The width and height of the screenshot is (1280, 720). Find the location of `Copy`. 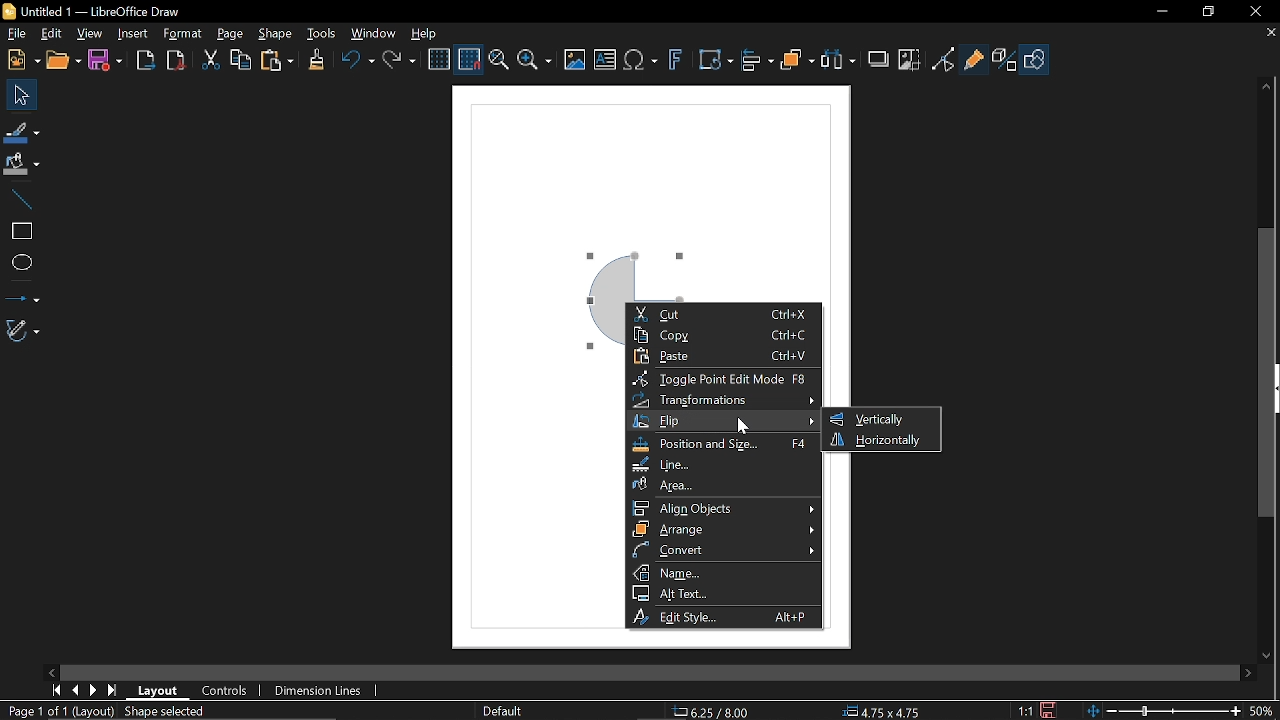

Copy is located at coordinates (241, 61).